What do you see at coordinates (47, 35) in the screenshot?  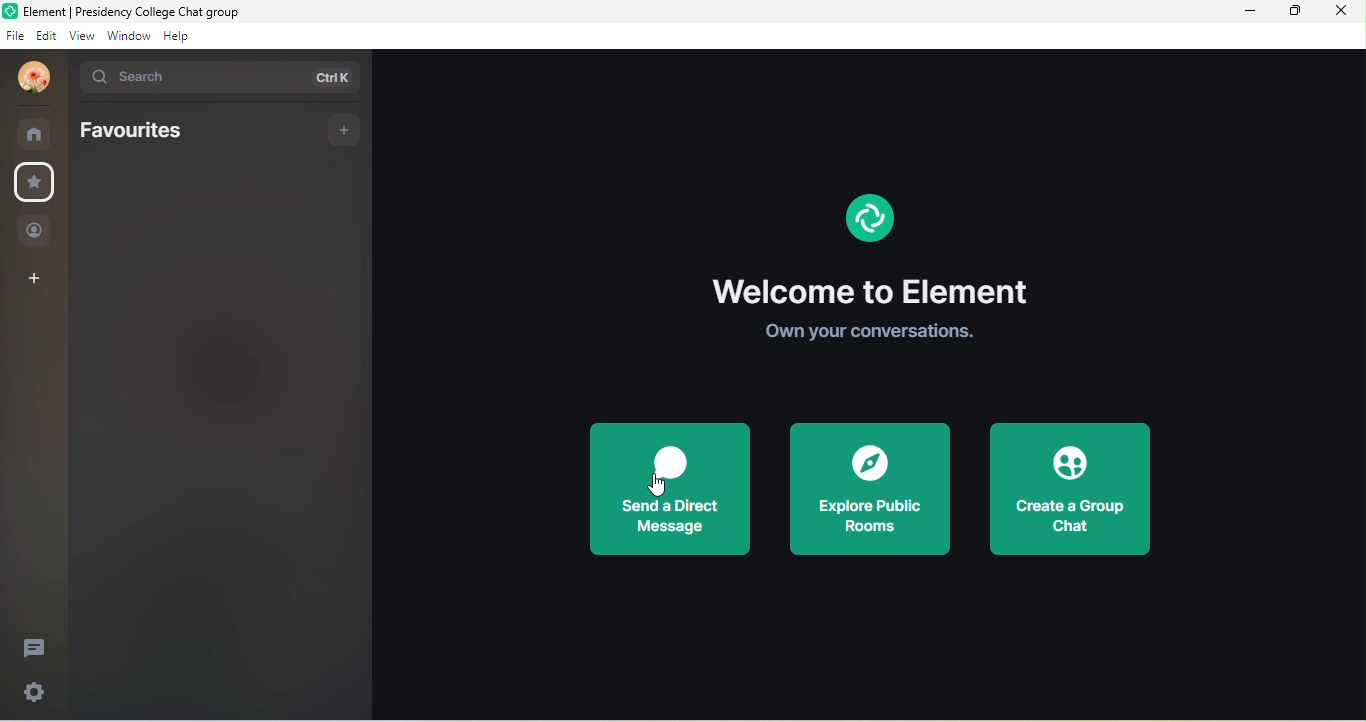 I see `edit` at bounding box center [47, 35].